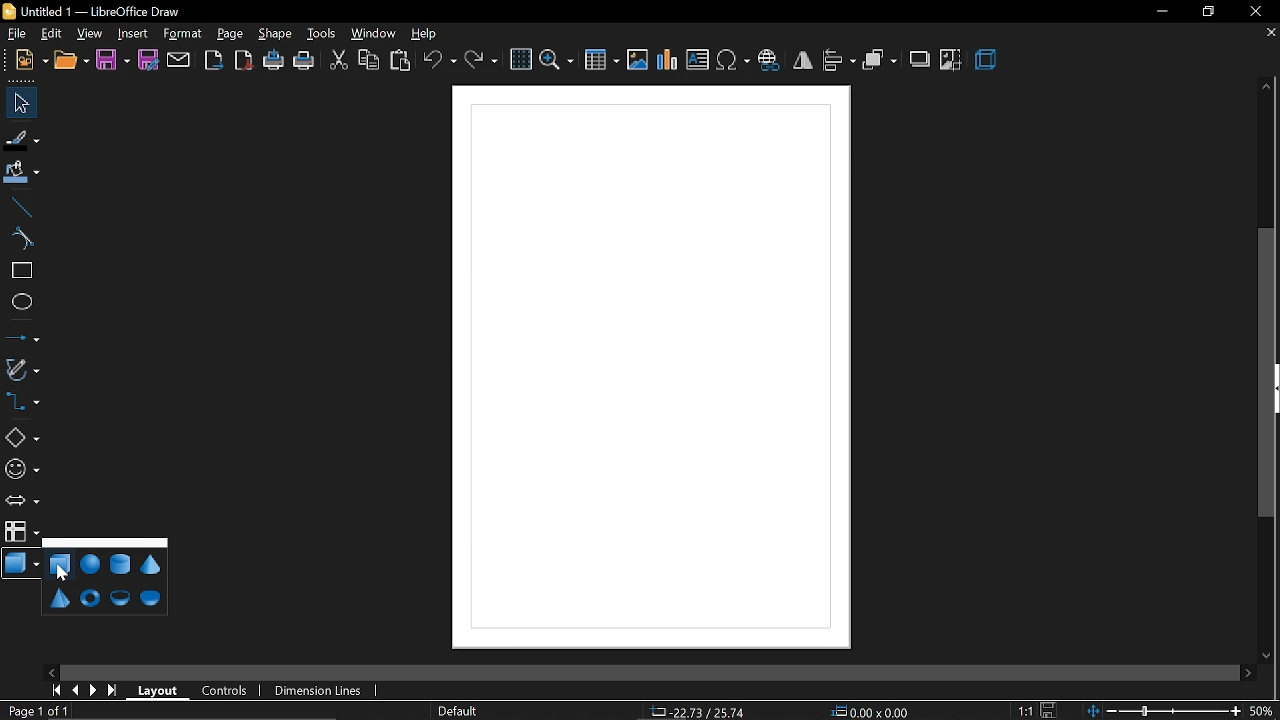 The width and height of the screenshot is (1280, 720). Describe the element at coordinates (90, 600) in the screenshot. I see `torus` at that location.